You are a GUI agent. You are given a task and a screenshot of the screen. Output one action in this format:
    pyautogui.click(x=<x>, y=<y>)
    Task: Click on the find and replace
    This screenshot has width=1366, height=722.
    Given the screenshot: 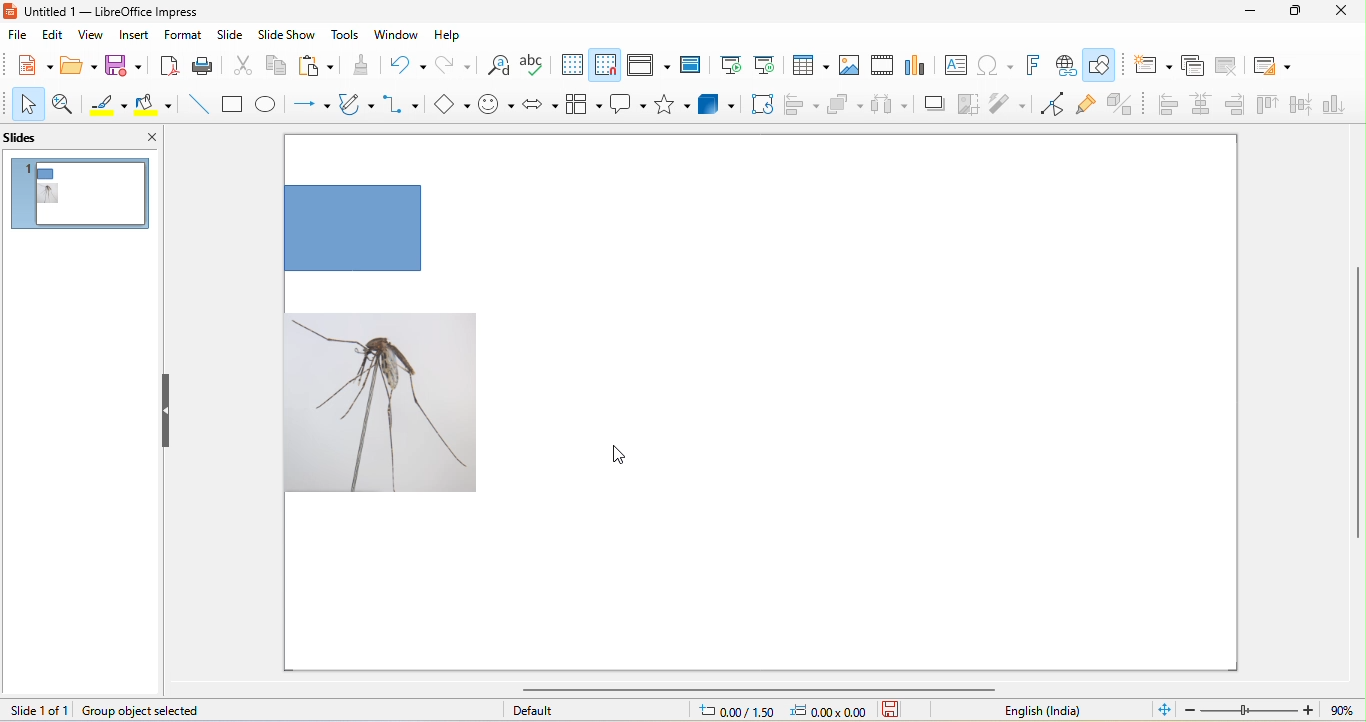 What is the action you would take?
    pyautogui.click(x=500, y=68)
    